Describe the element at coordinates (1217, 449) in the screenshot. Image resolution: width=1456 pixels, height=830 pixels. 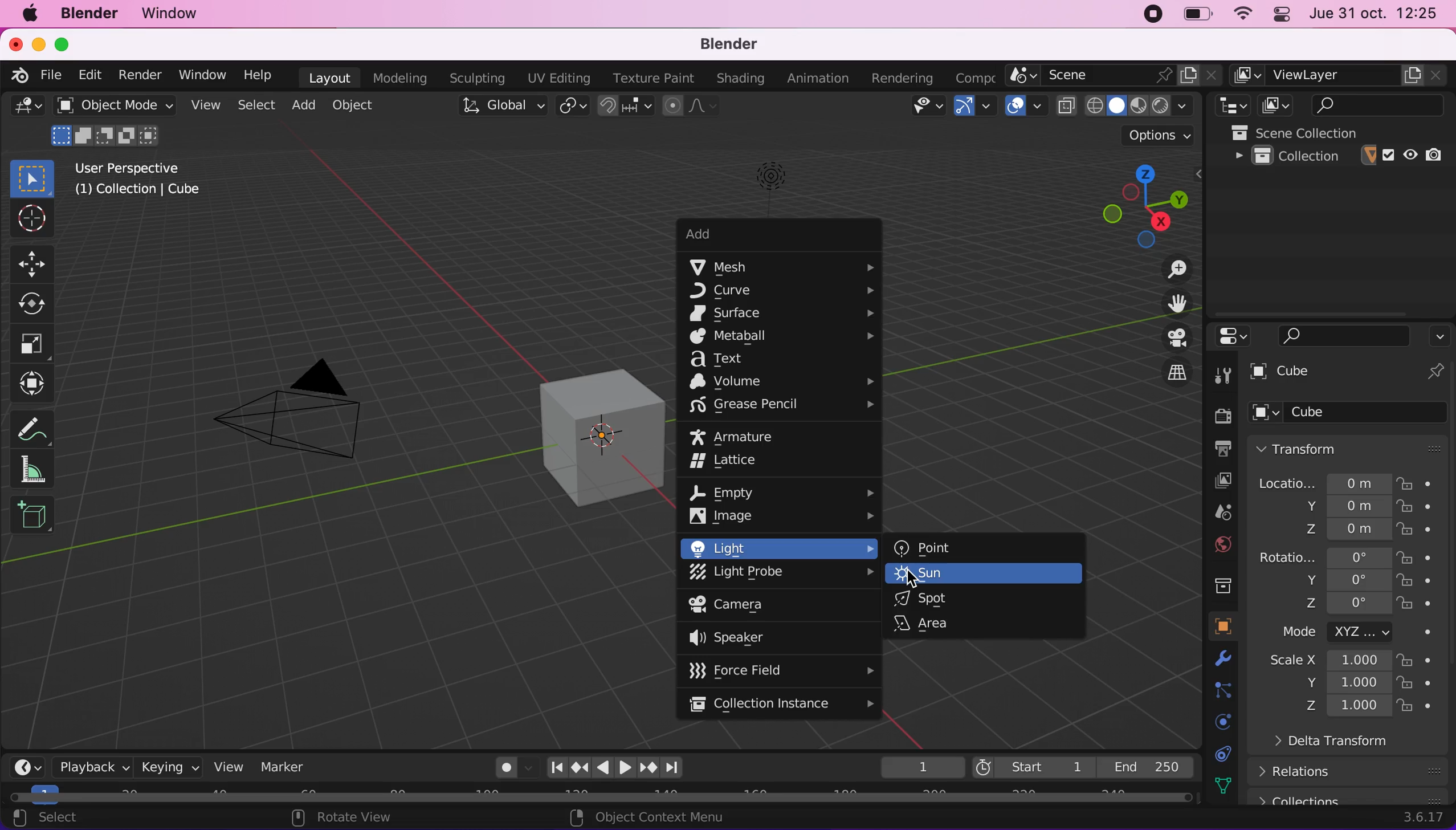
I see `output` at that location.